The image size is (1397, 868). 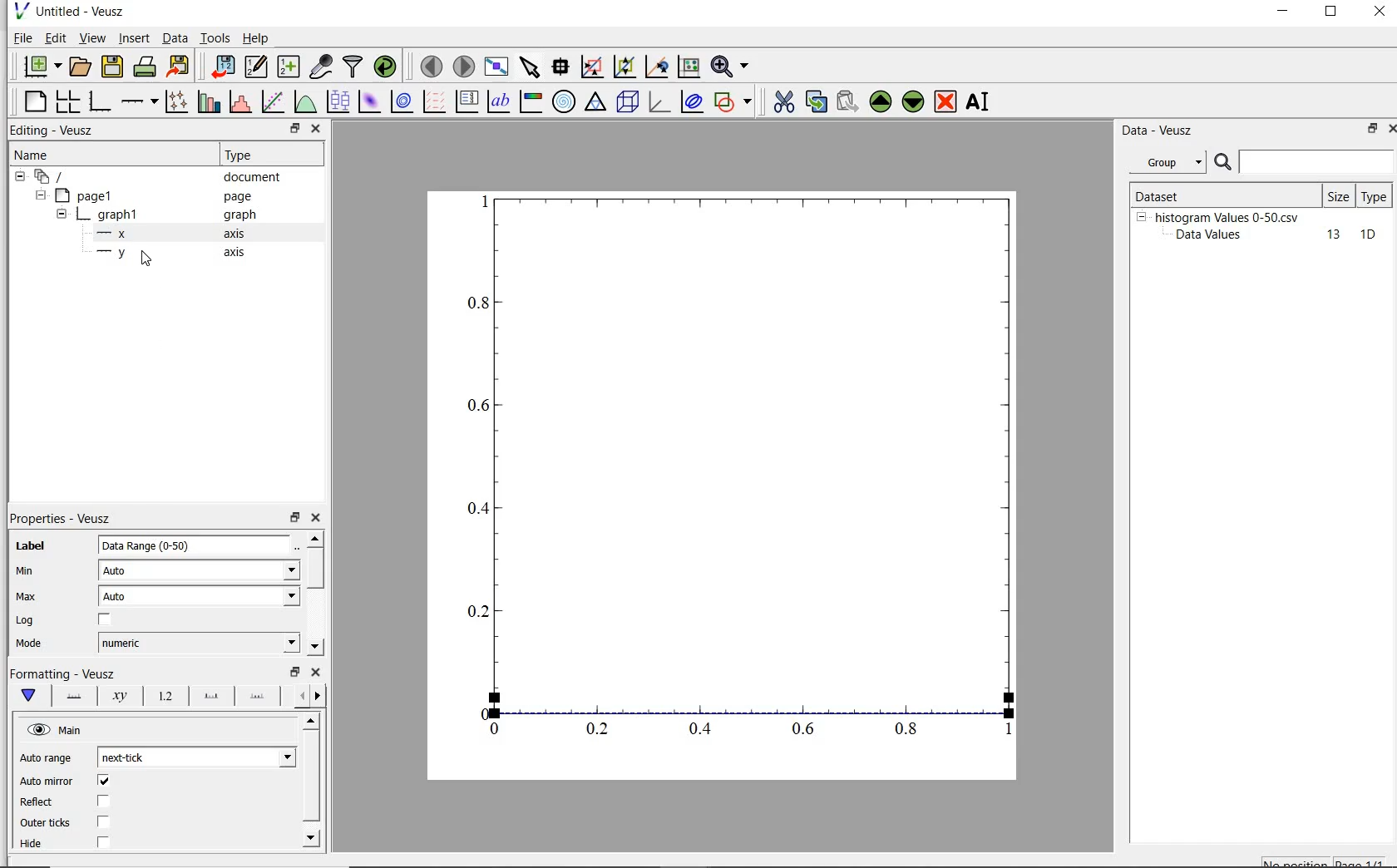 I want to click on move up, so click(x=312, y=720).